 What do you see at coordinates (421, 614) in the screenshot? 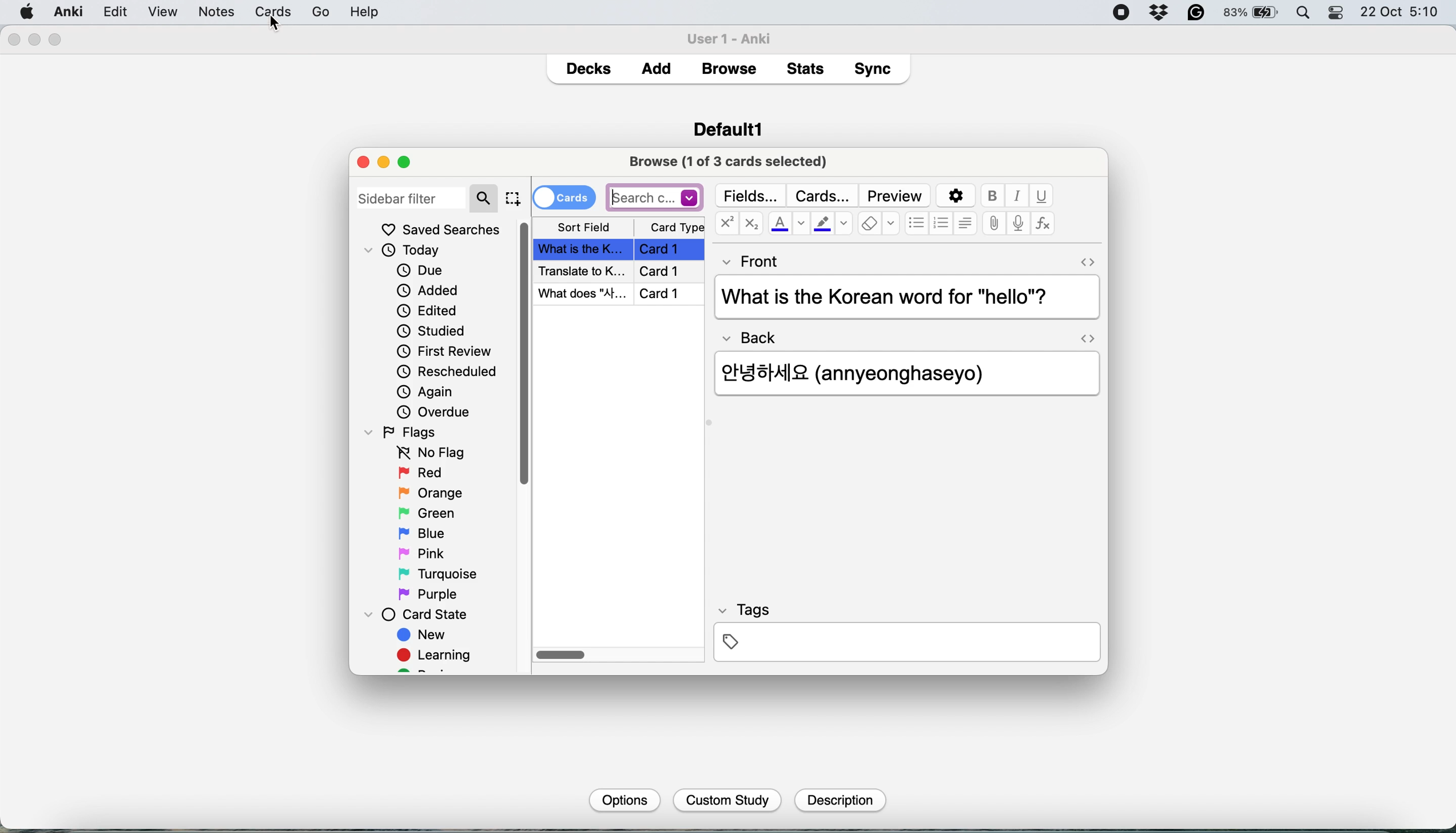
I see `card state` at bounding box center [421, 614].